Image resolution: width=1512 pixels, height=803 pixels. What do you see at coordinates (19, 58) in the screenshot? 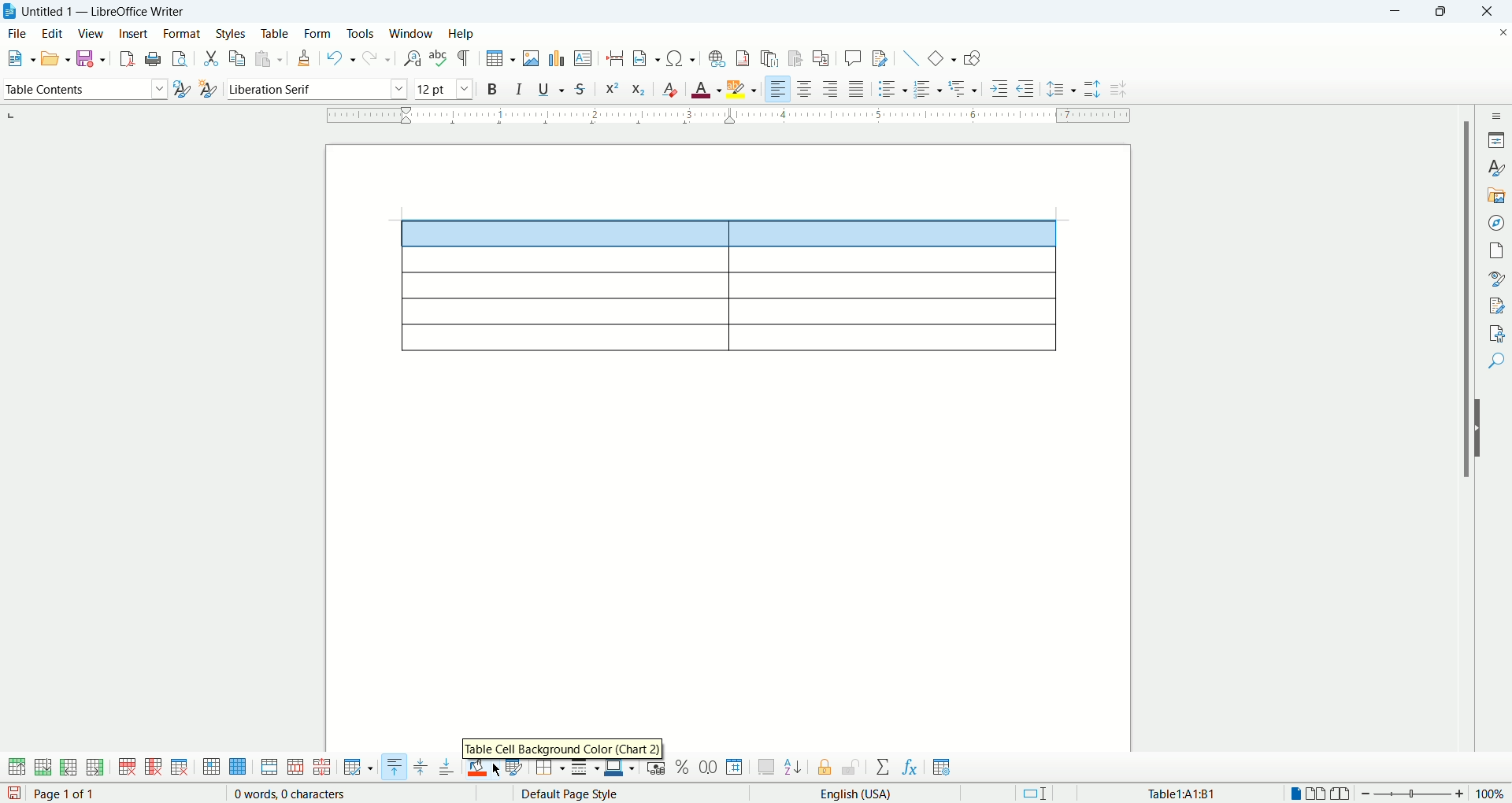
I see `new` at bounding box center [19, 58].